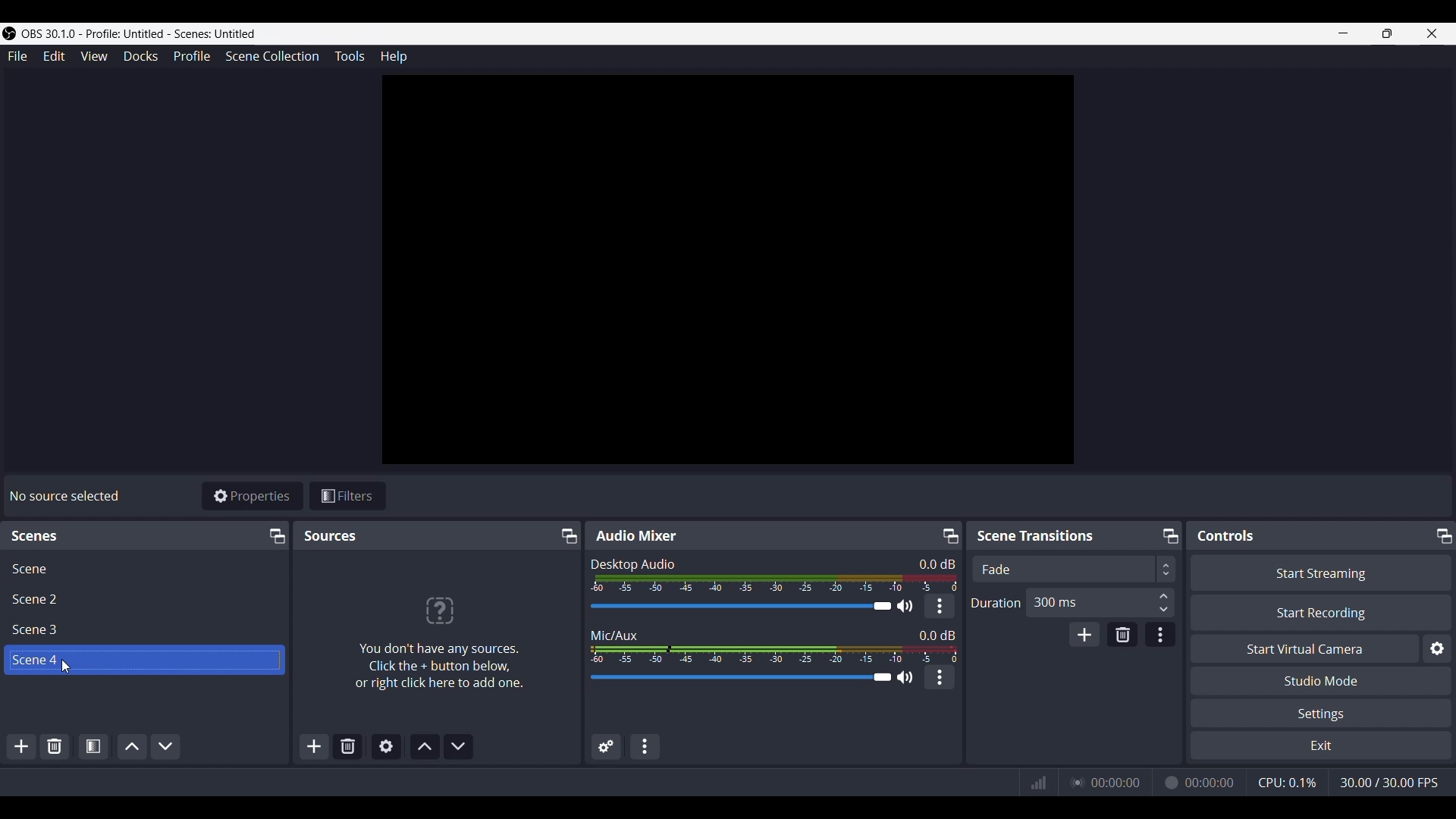 The width and height of the screenshot is (1456, 819). Describe the element at coordinates (1169, 783) in the screenshot. I see `Recording Status Icon` at that location.